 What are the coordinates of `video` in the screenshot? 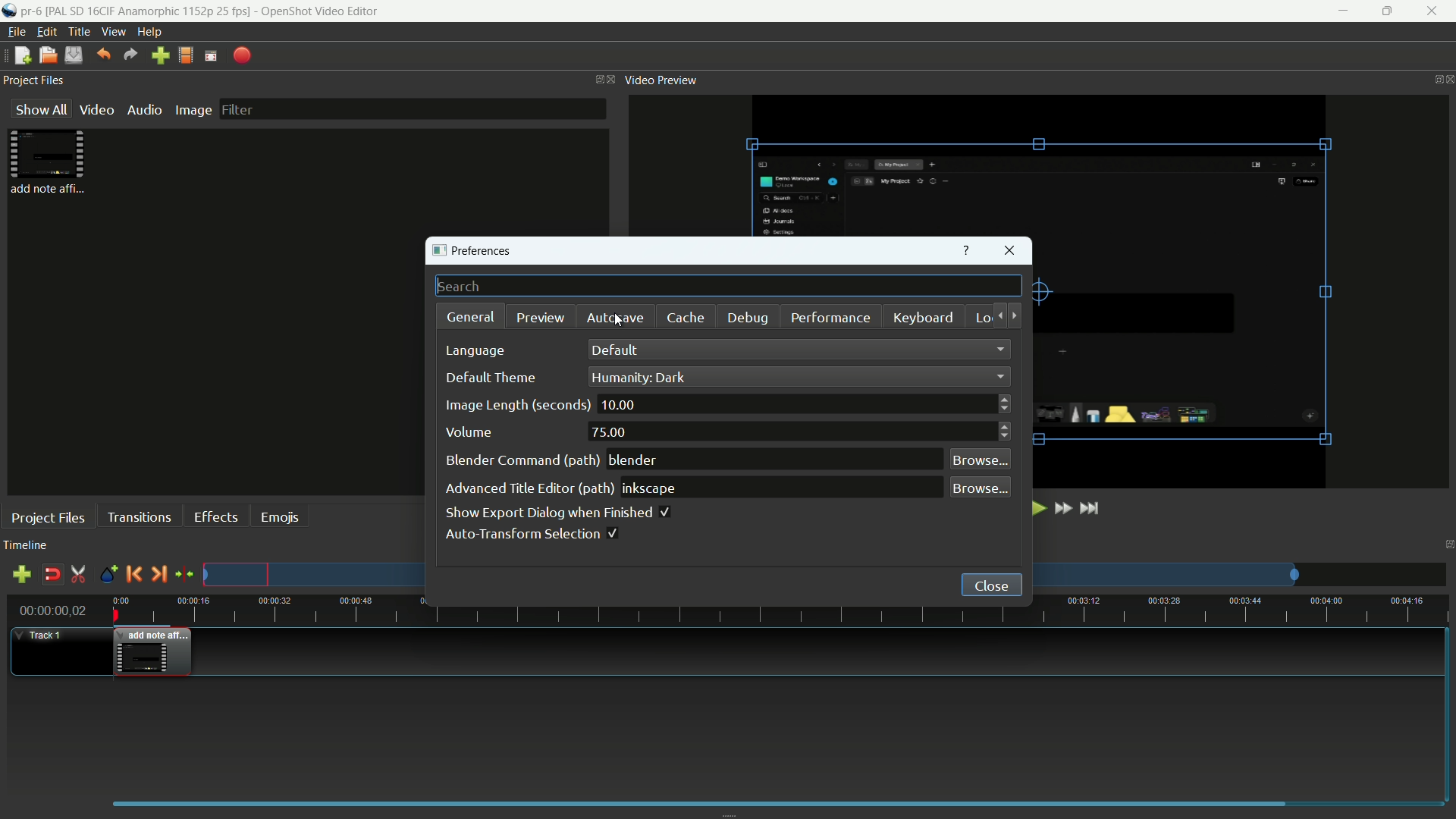 It's located at (96, 110).